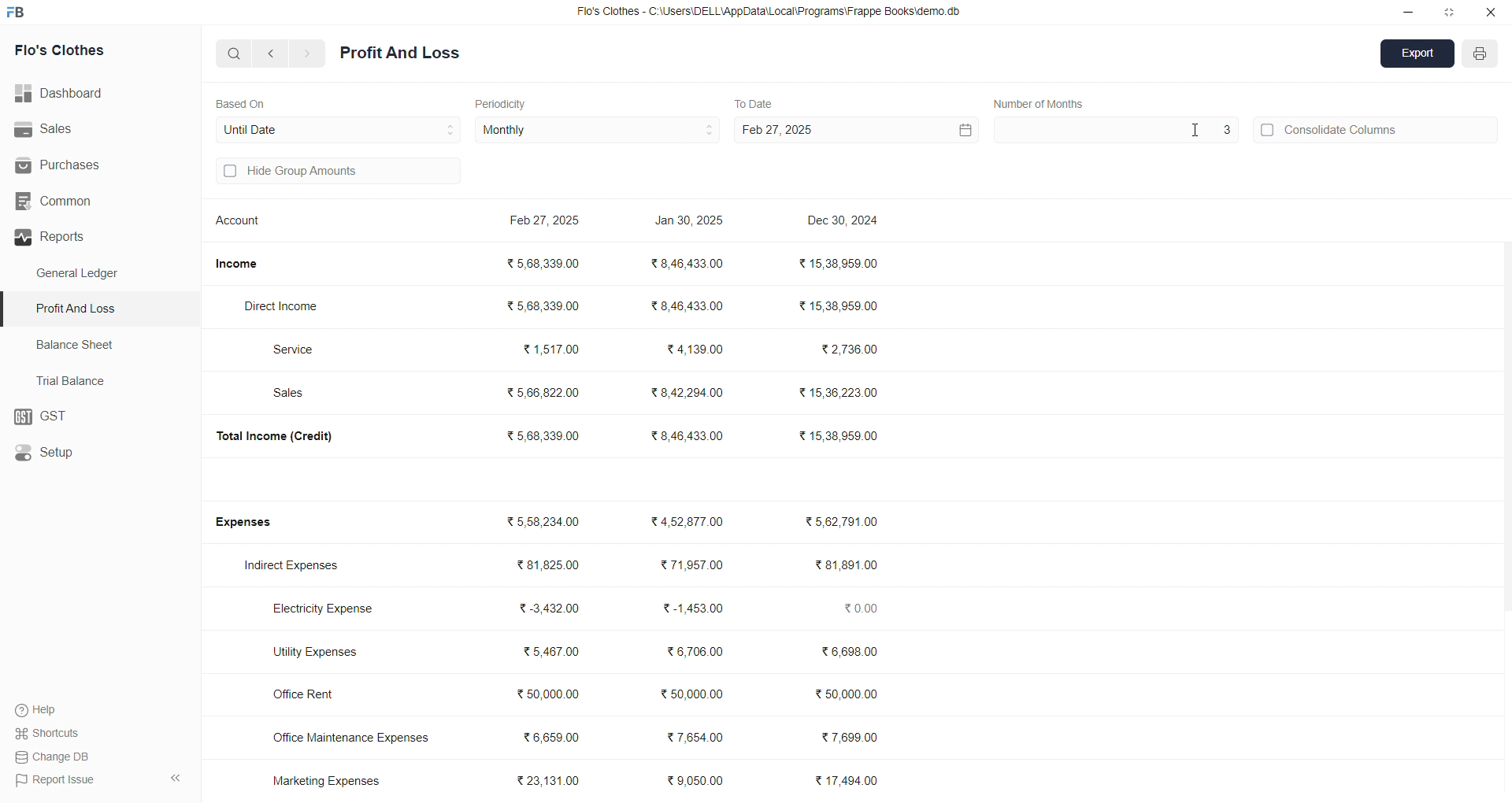 Image resolution: width=1512 pixels, height=803 pixels. What do you see at coordinates (244, 102) in the screenshot?
I see `Based On` at bounding box center [244, 102].